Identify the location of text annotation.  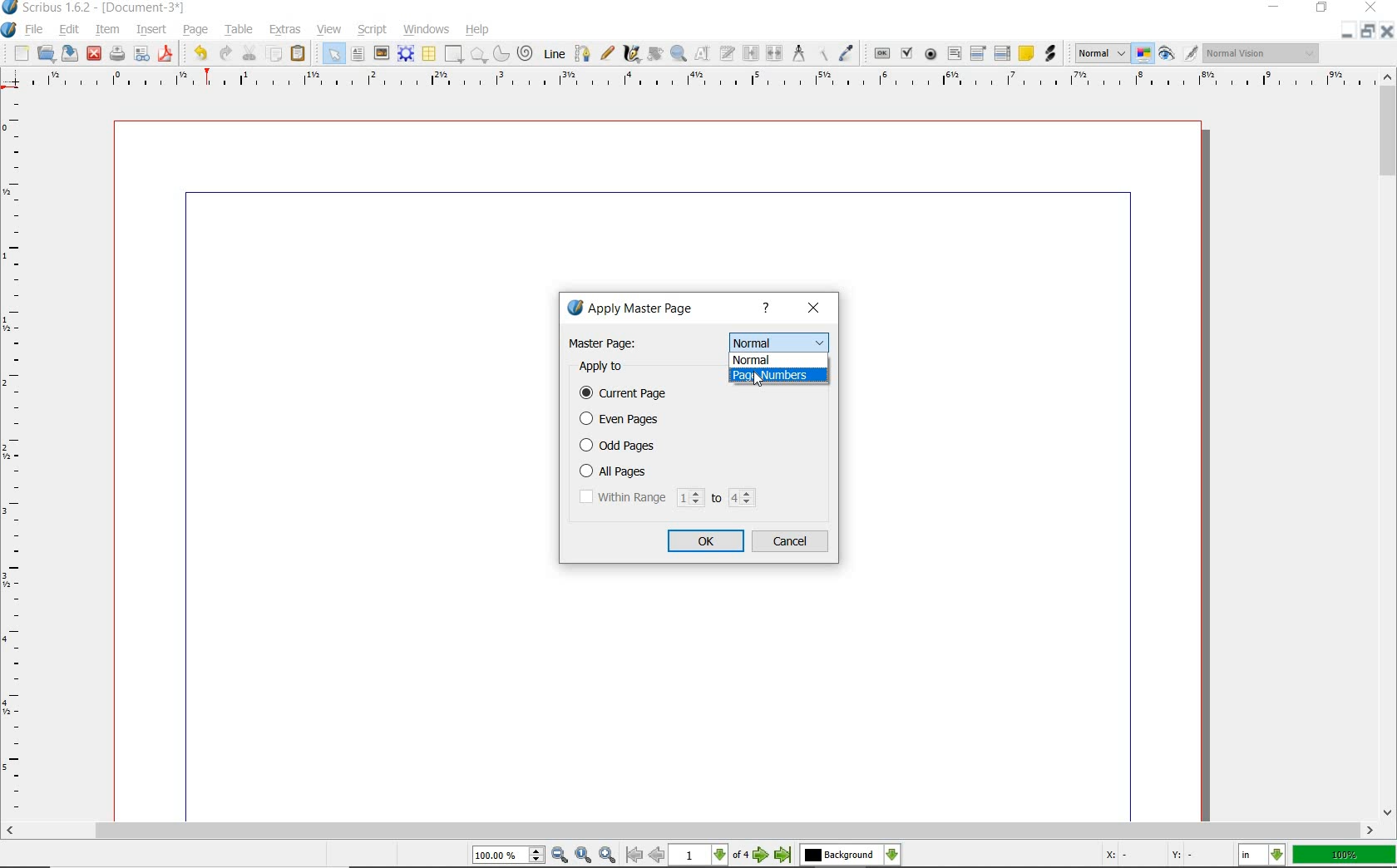
(1024, 53).